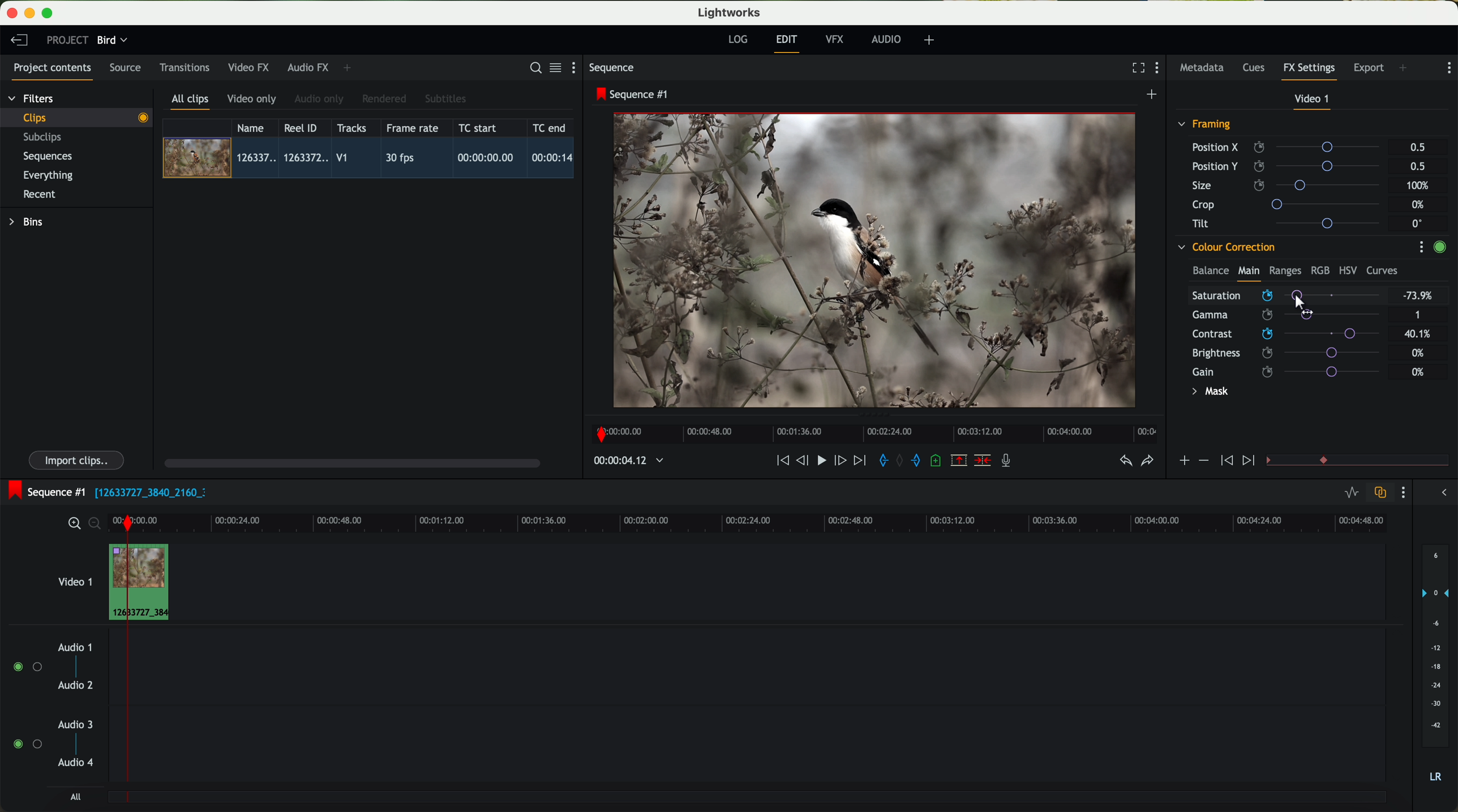 This screenshot has height=812, width=1458. What do you see at coordinates (1147, 462) in the screenshot?
I see `redo` at bounding box center [1147, 462].